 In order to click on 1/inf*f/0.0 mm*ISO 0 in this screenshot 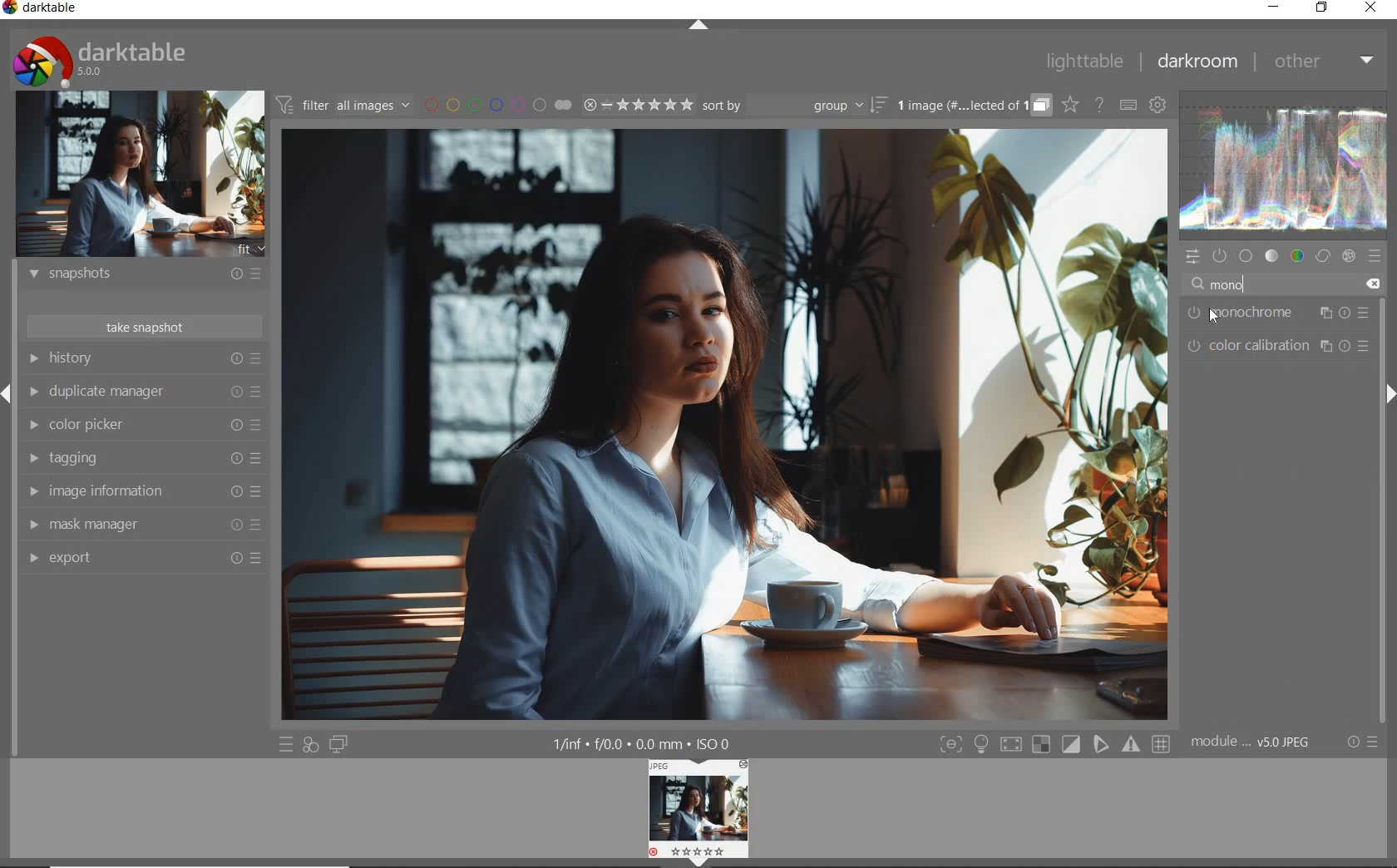, I will do `click(644, 743)`.